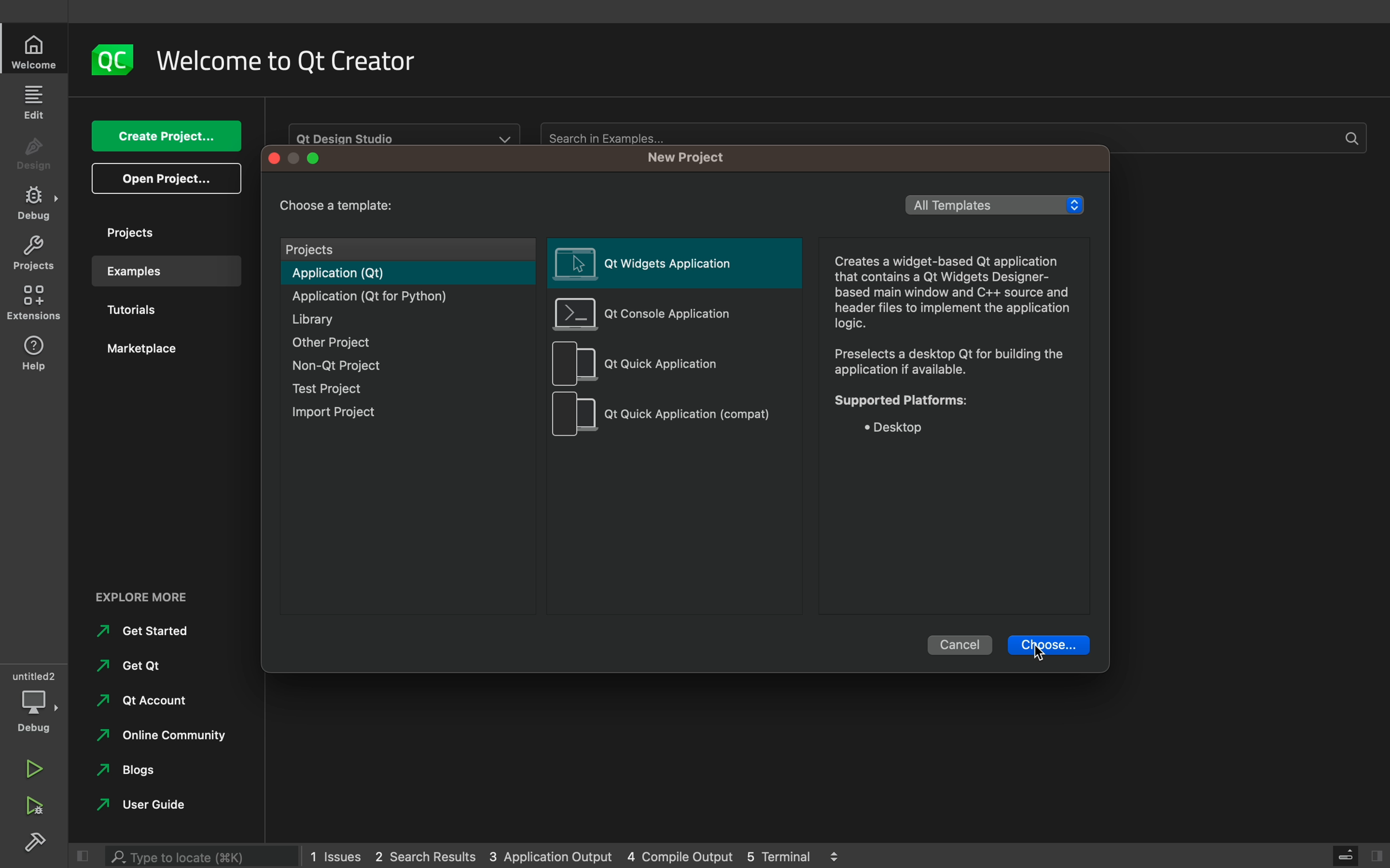  I want to click on help, so click(34, 352).